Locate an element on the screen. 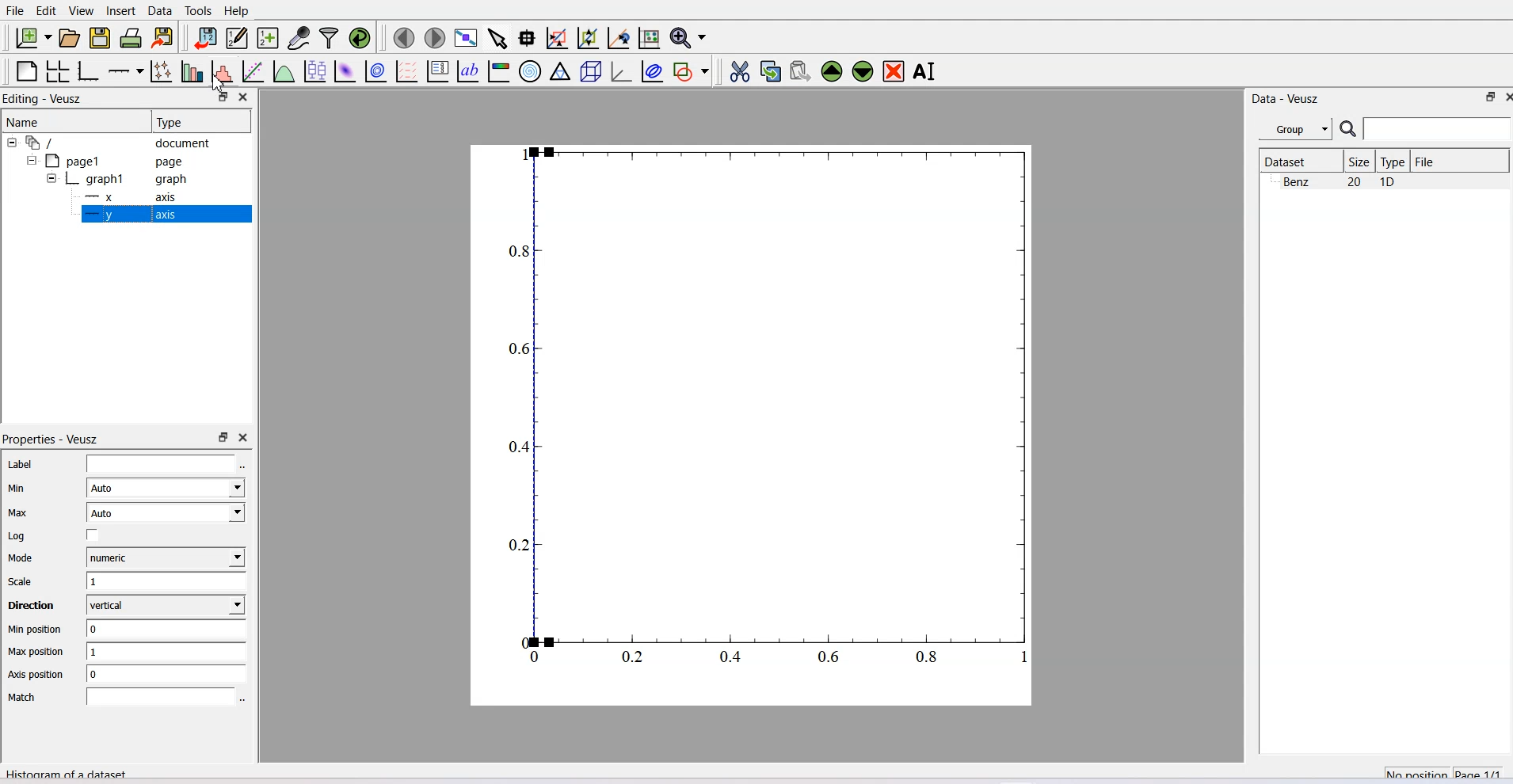  Type is located at coordinates (1394, 161).